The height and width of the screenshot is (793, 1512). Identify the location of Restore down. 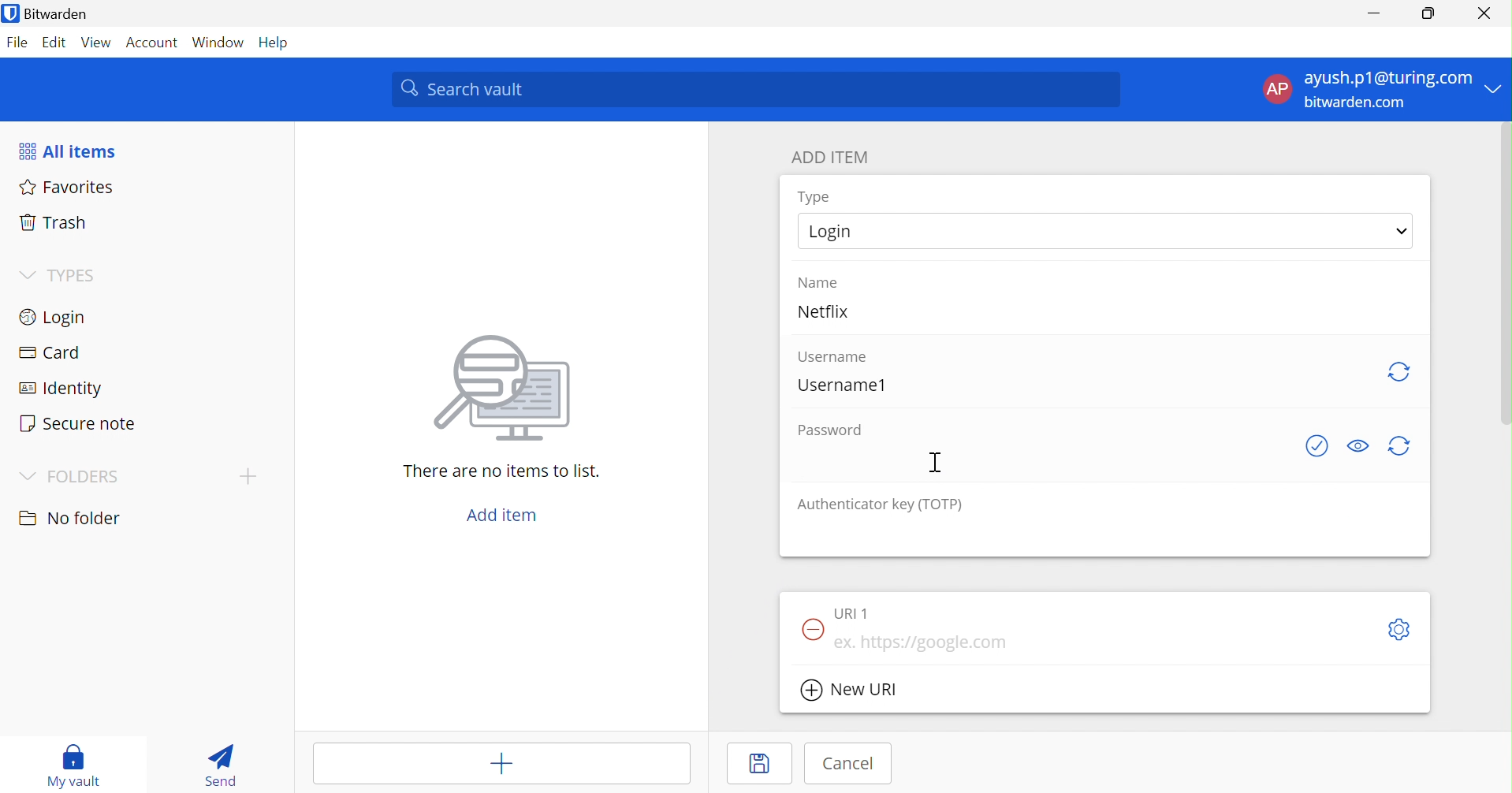
(1431, 14).